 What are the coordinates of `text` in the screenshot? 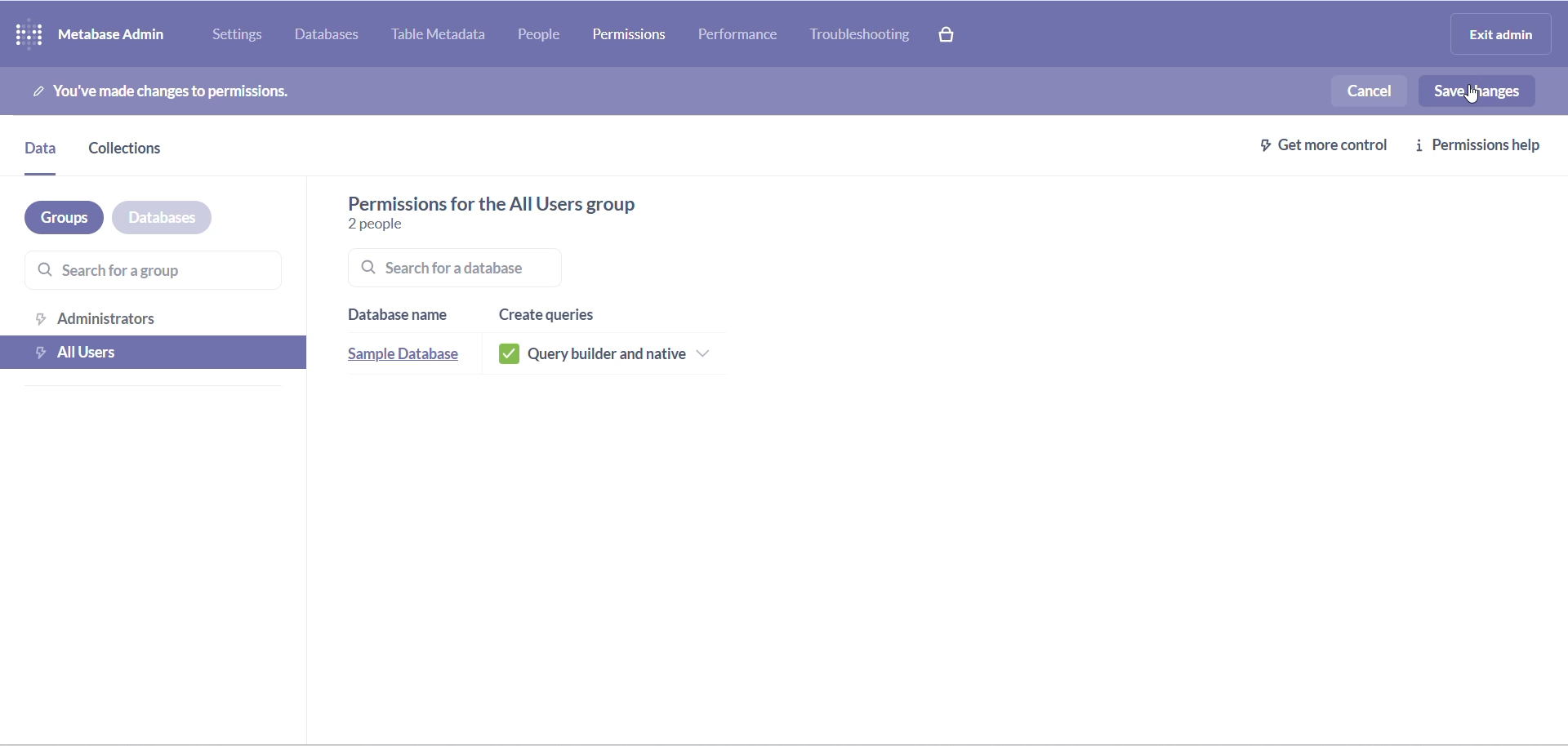 It's located at (528, 200).